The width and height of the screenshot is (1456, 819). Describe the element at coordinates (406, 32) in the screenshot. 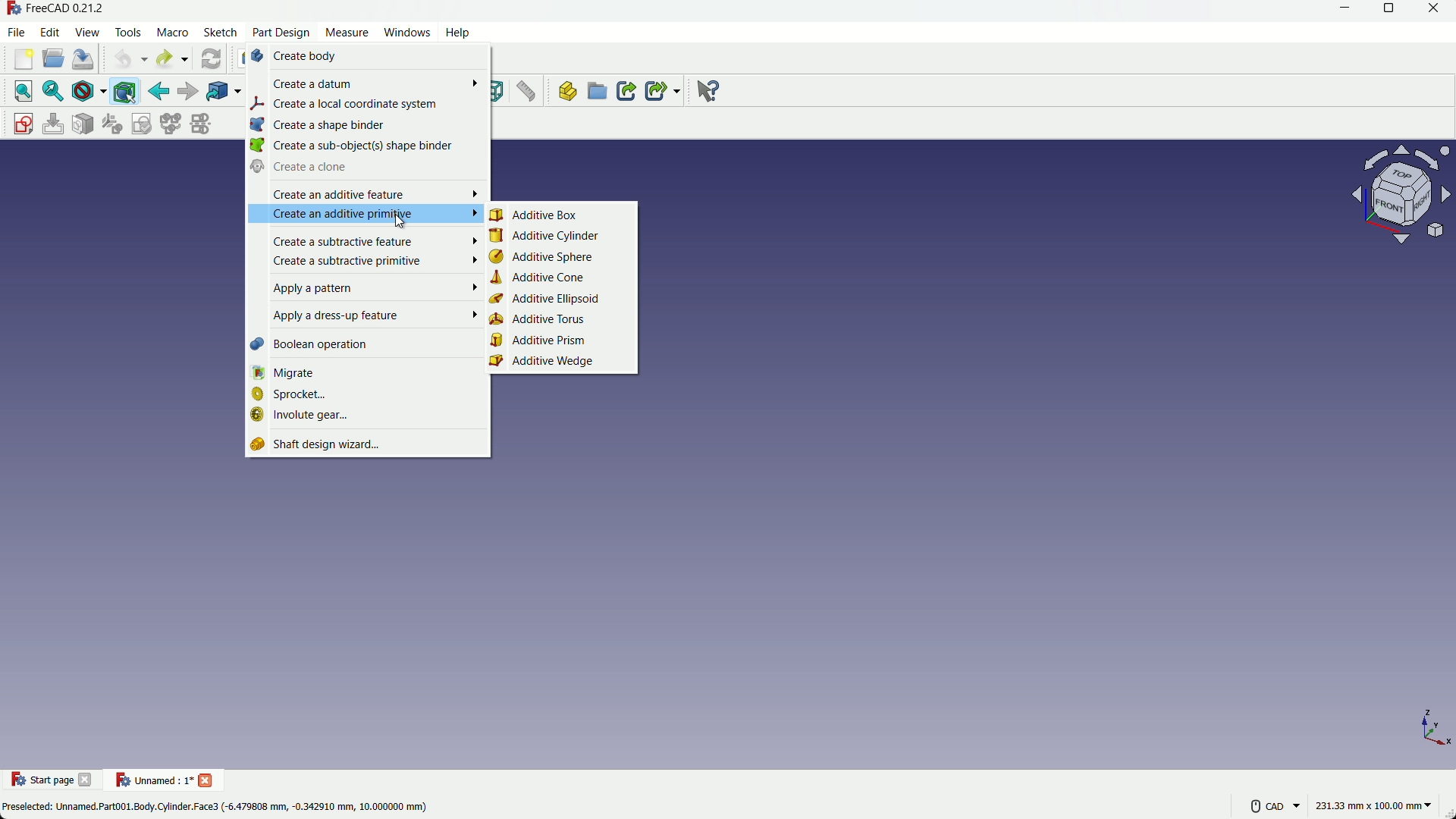

I see `windows menu` at that location.